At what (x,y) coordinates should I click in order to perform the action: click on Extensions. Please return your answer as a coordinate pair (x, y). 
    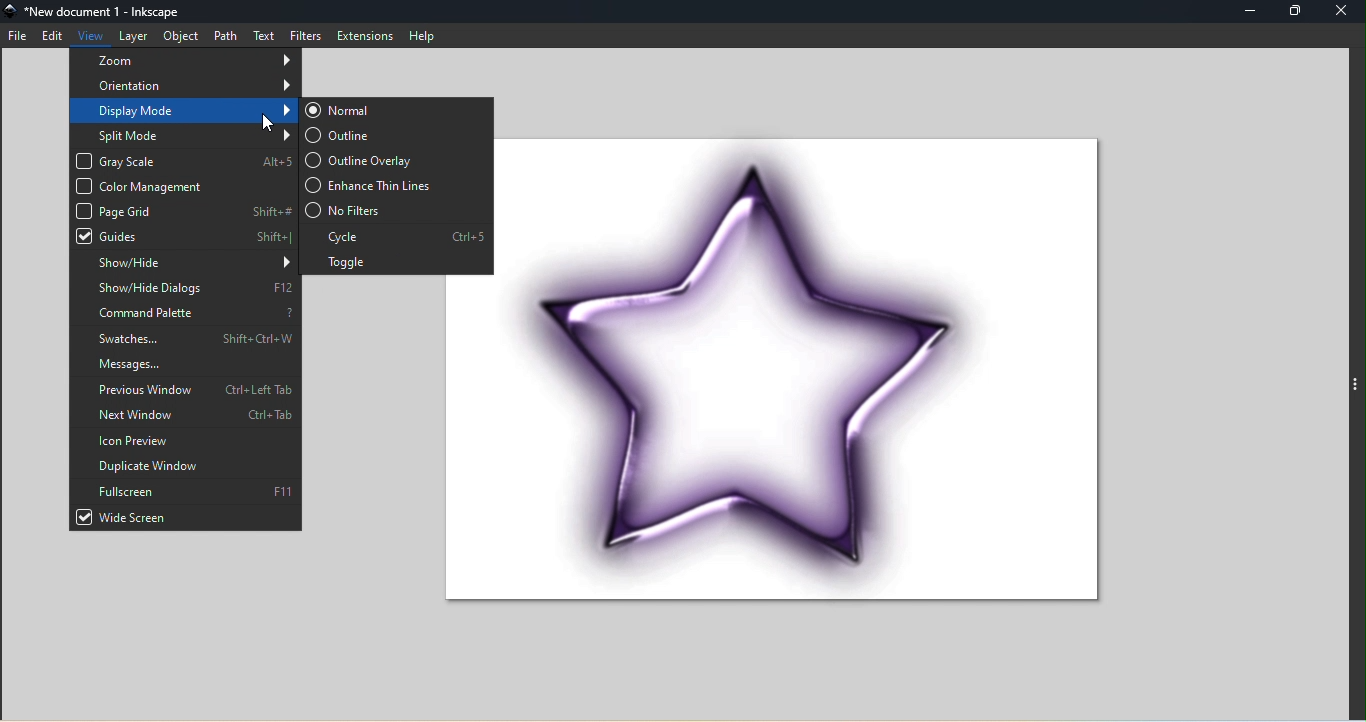
    Looking at the image, I should click on (365, 34).